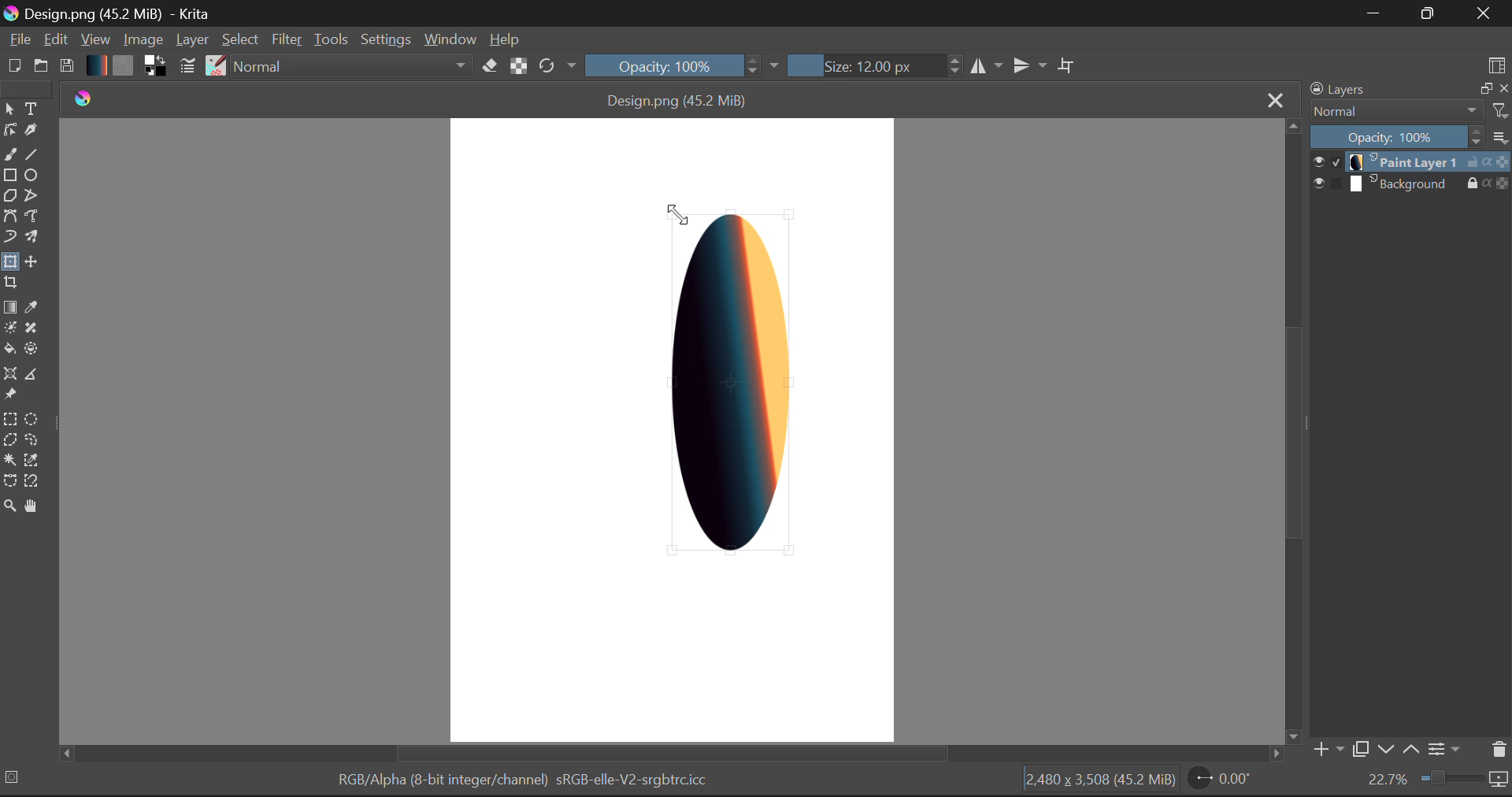  Describe the element at coordinates (684, 65) in the screenshot. I see `Opacity` at that location.